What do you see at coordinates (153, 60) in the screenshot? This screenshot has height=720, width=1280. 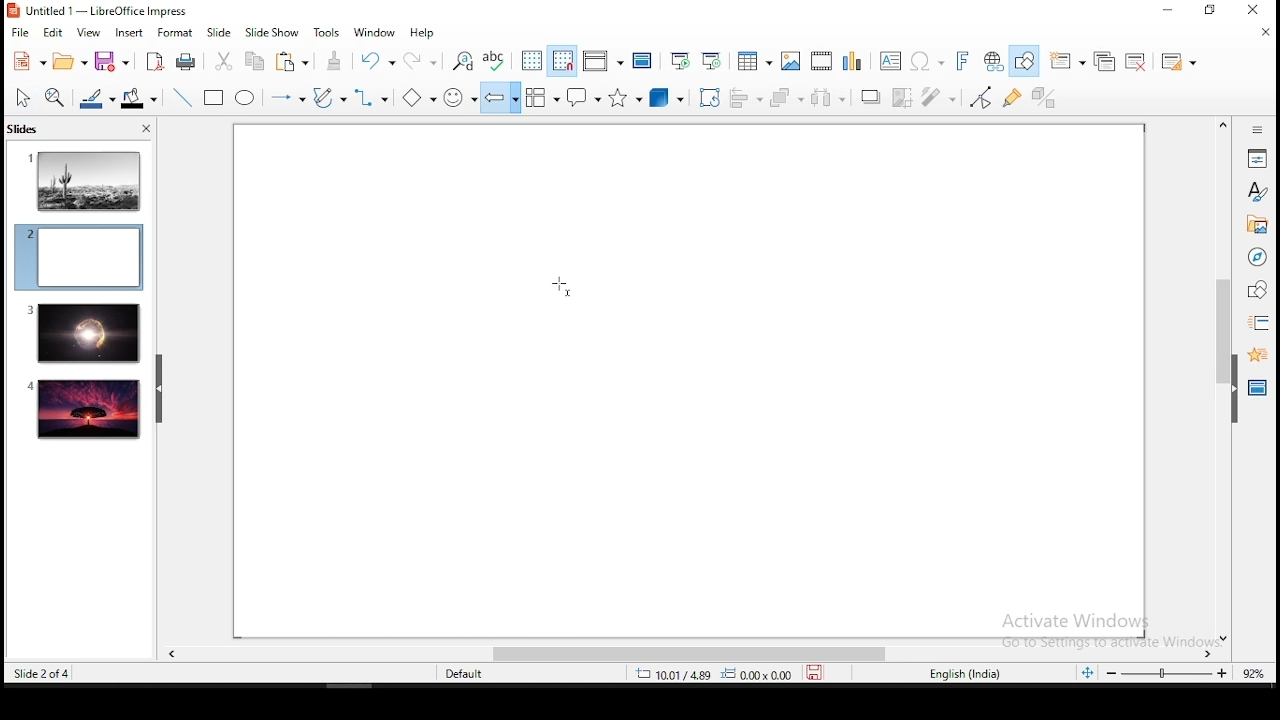 I see `export as pdf` at bounding box center [153, 60].